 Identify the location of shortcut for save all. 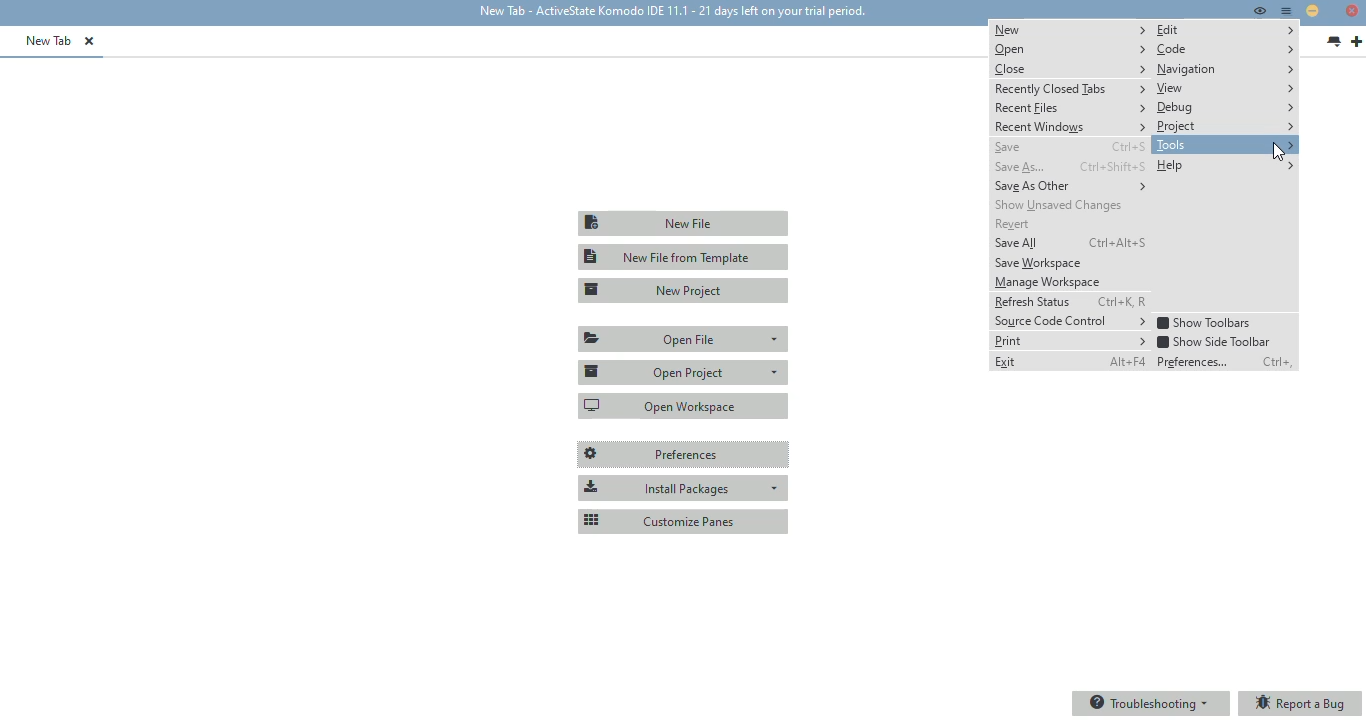
(1118, 242).